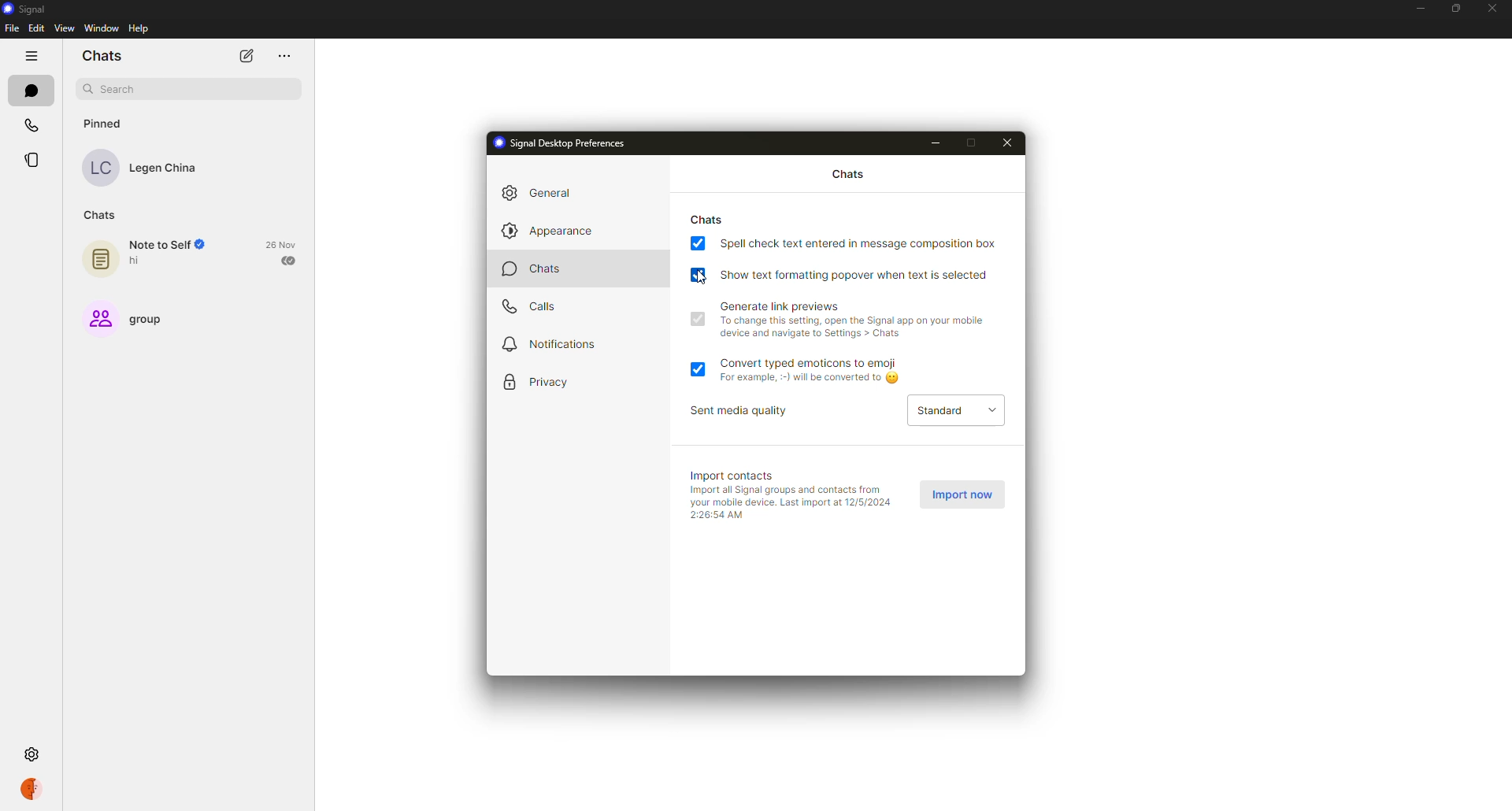  I want to click on chats, so click(543, 271).